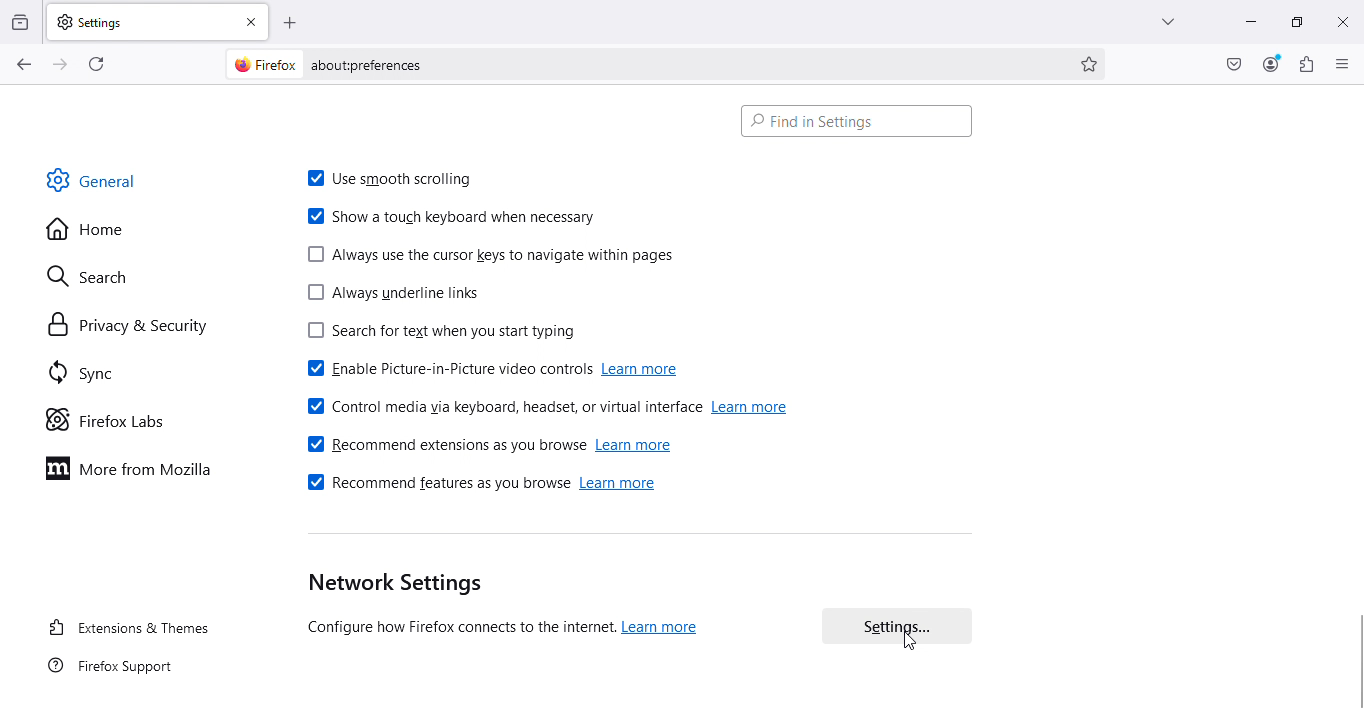  I want to click on Extensions, so click(1307, 64).